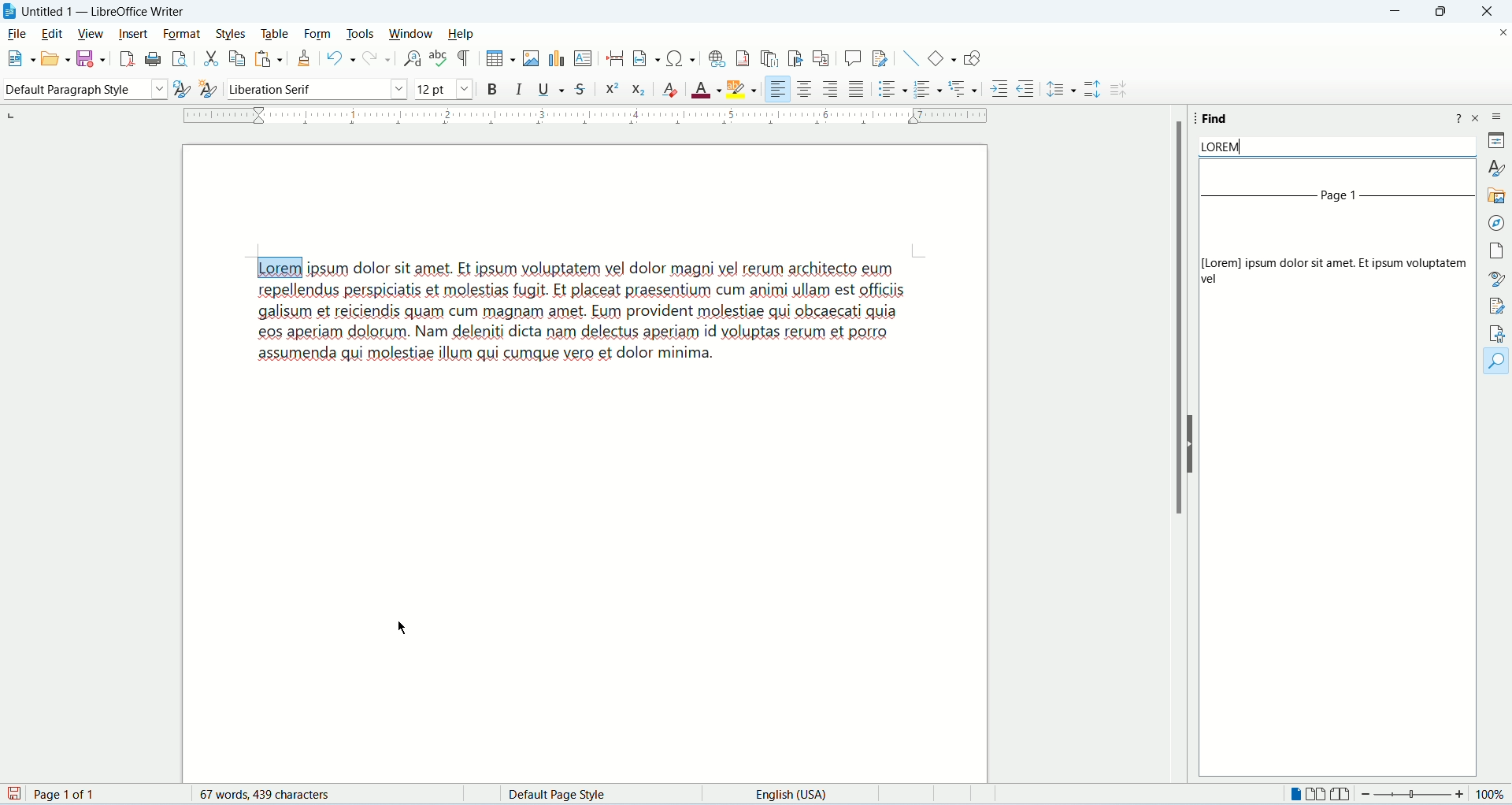  Describe the element at coordinates (102, 11) in the screenshot. I see `Untitled 1 - LibreOffice Writer` at that location.